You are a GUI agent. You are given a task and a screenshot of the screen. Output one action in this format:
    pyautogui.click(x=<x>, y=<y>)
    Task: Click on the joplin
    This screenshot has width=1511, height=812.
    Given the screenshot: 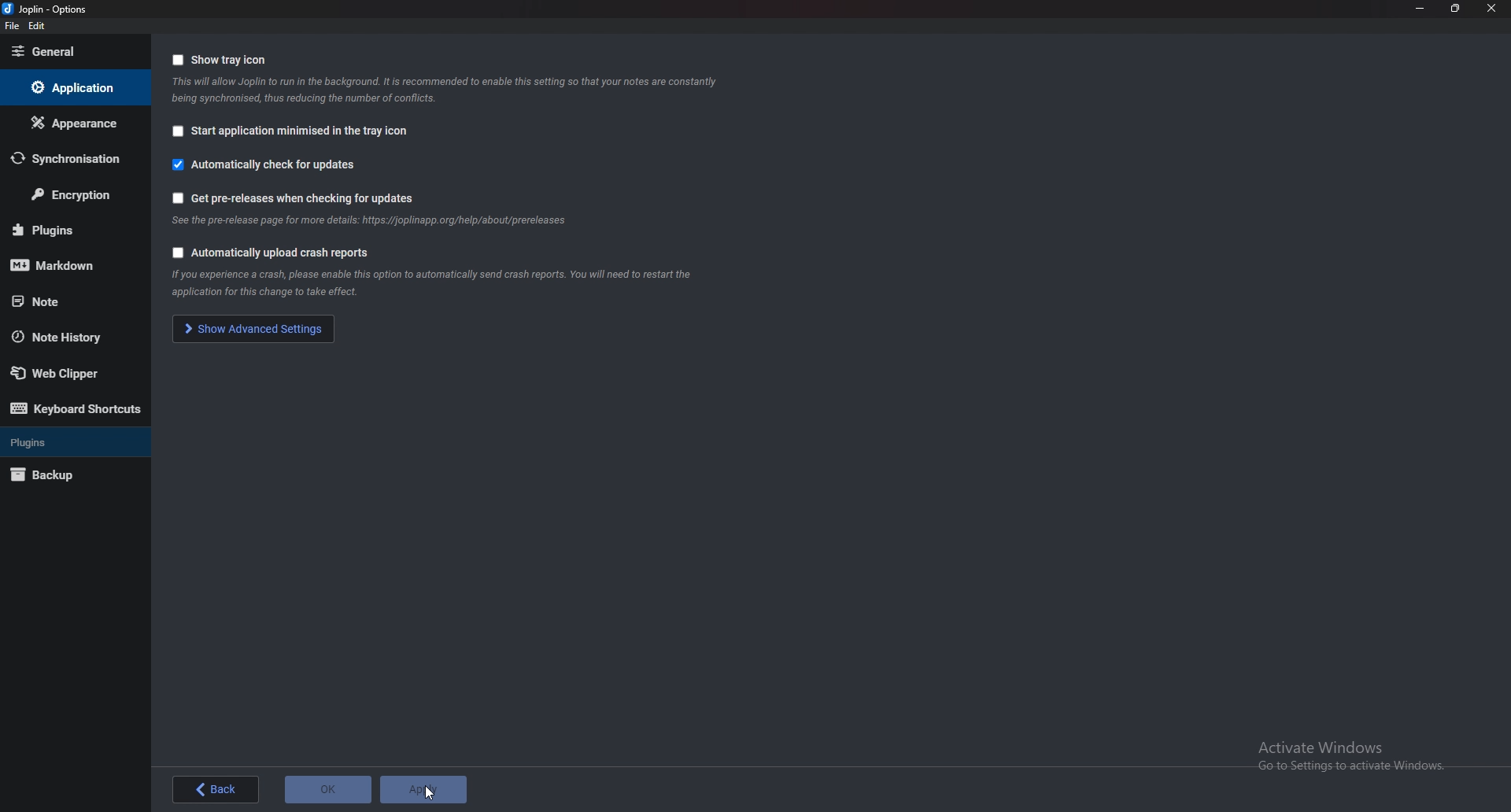 What is the action you would take?
    pyautogui.click(x=54, y=9)
    